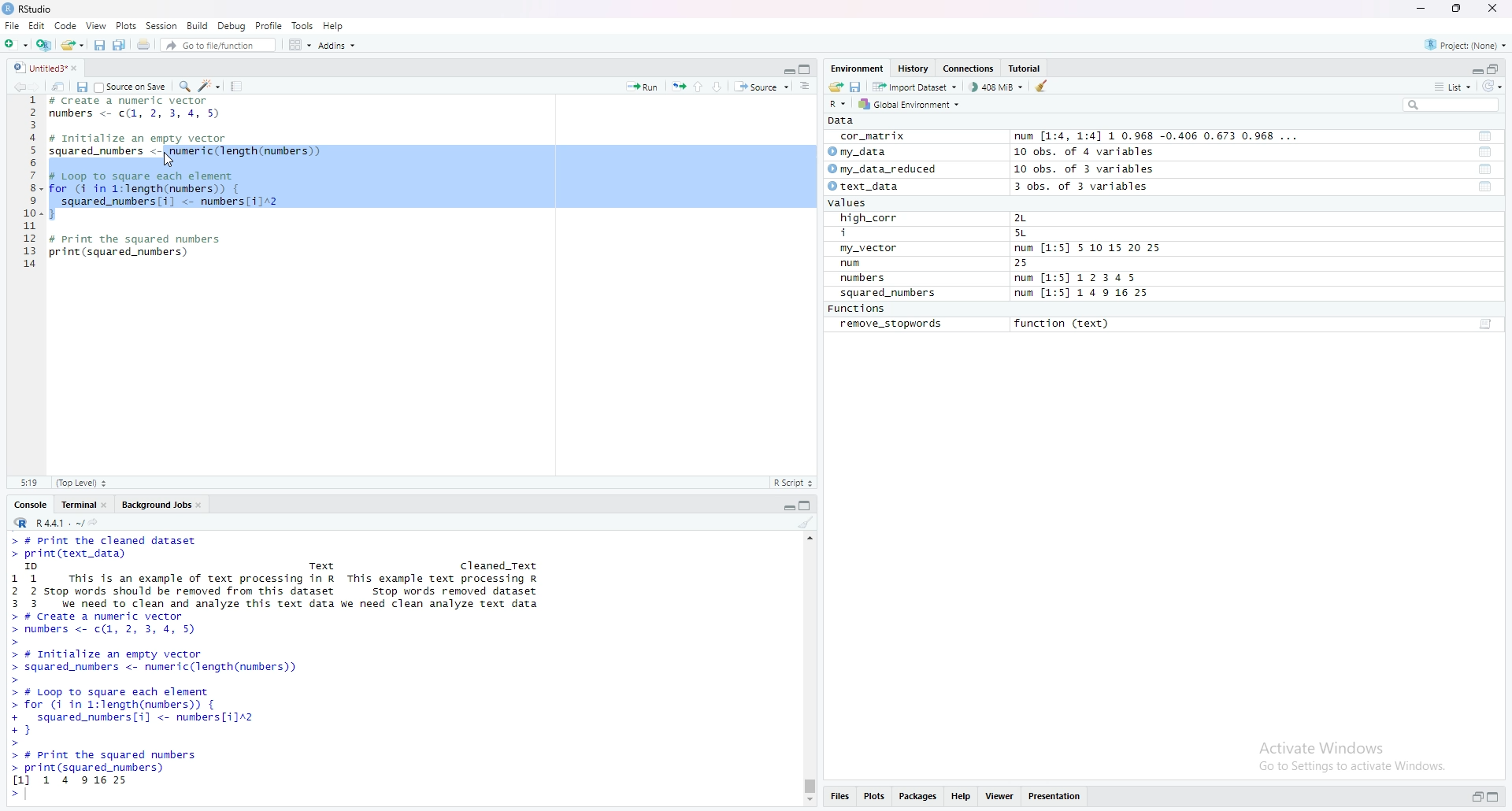 This screenshot has height=811, width=1512. What do you see at coordinates (81, 86) in the screenshot?
I see `save` at bounding box center [81, 86].